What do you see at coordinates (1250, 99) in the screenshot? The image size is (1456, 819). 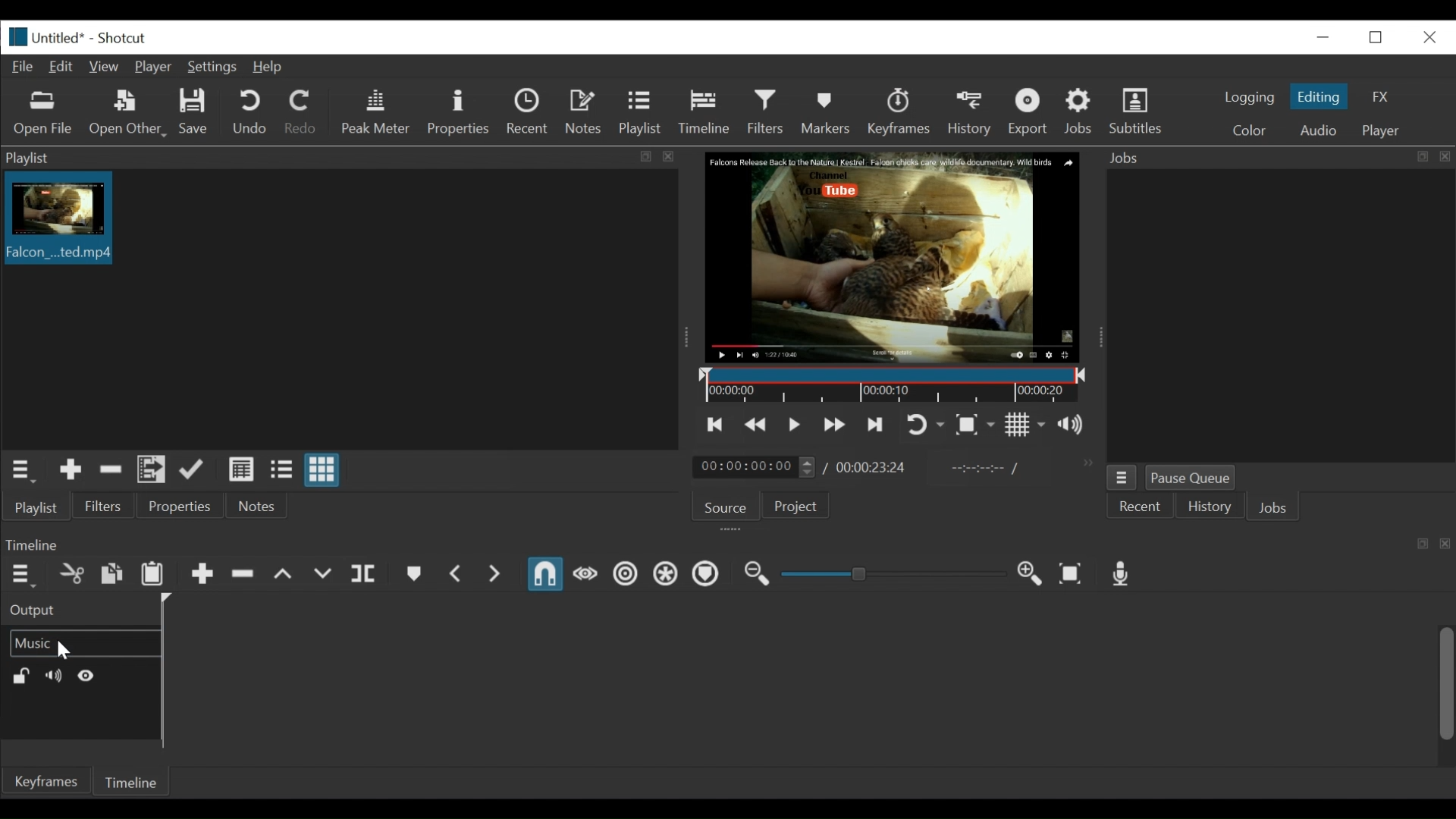 I see `logging` at bounding box center [1250, 99].